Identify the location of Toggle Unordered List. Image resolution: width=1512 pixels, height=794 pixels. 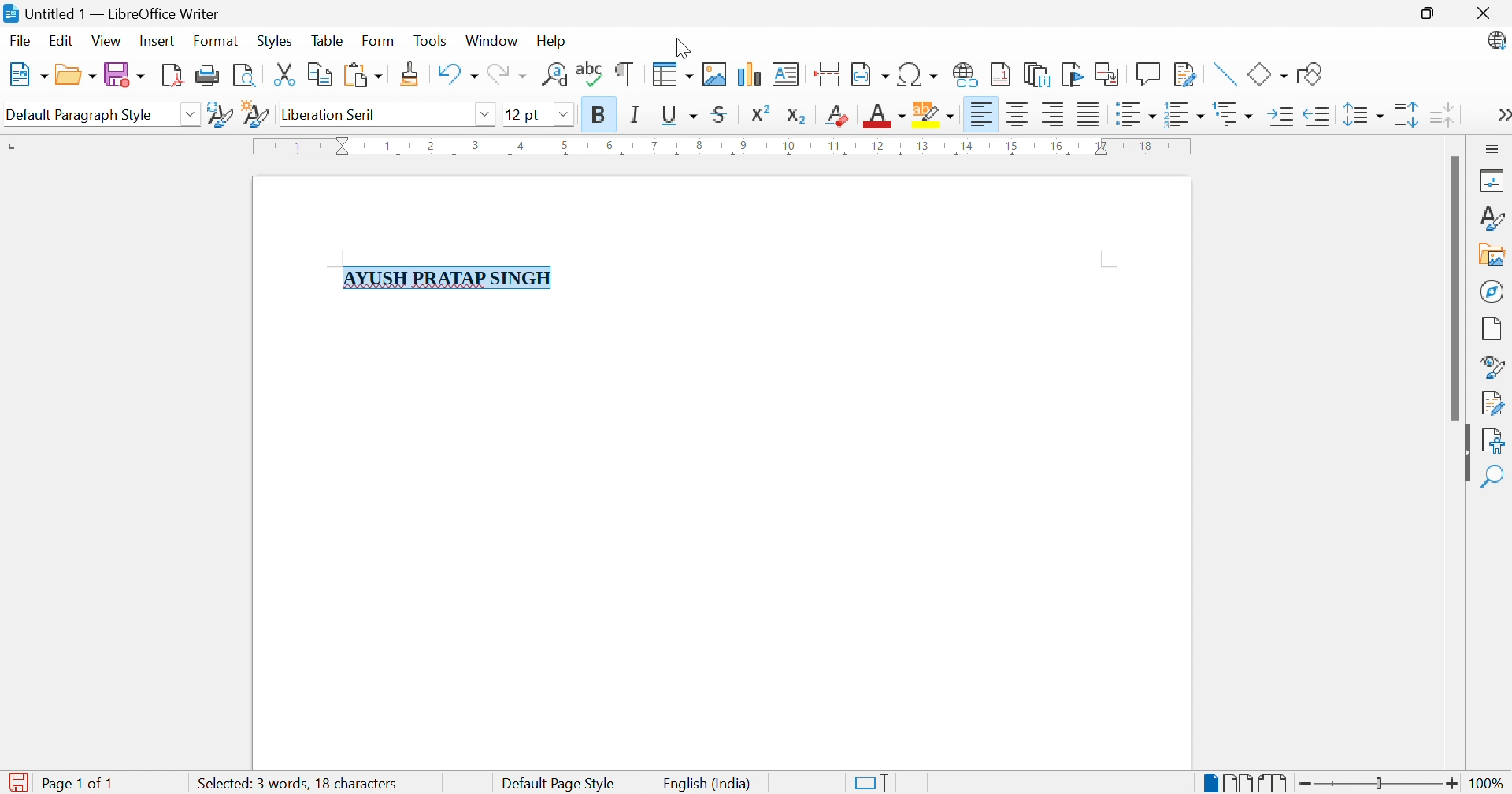
(1136, 114).